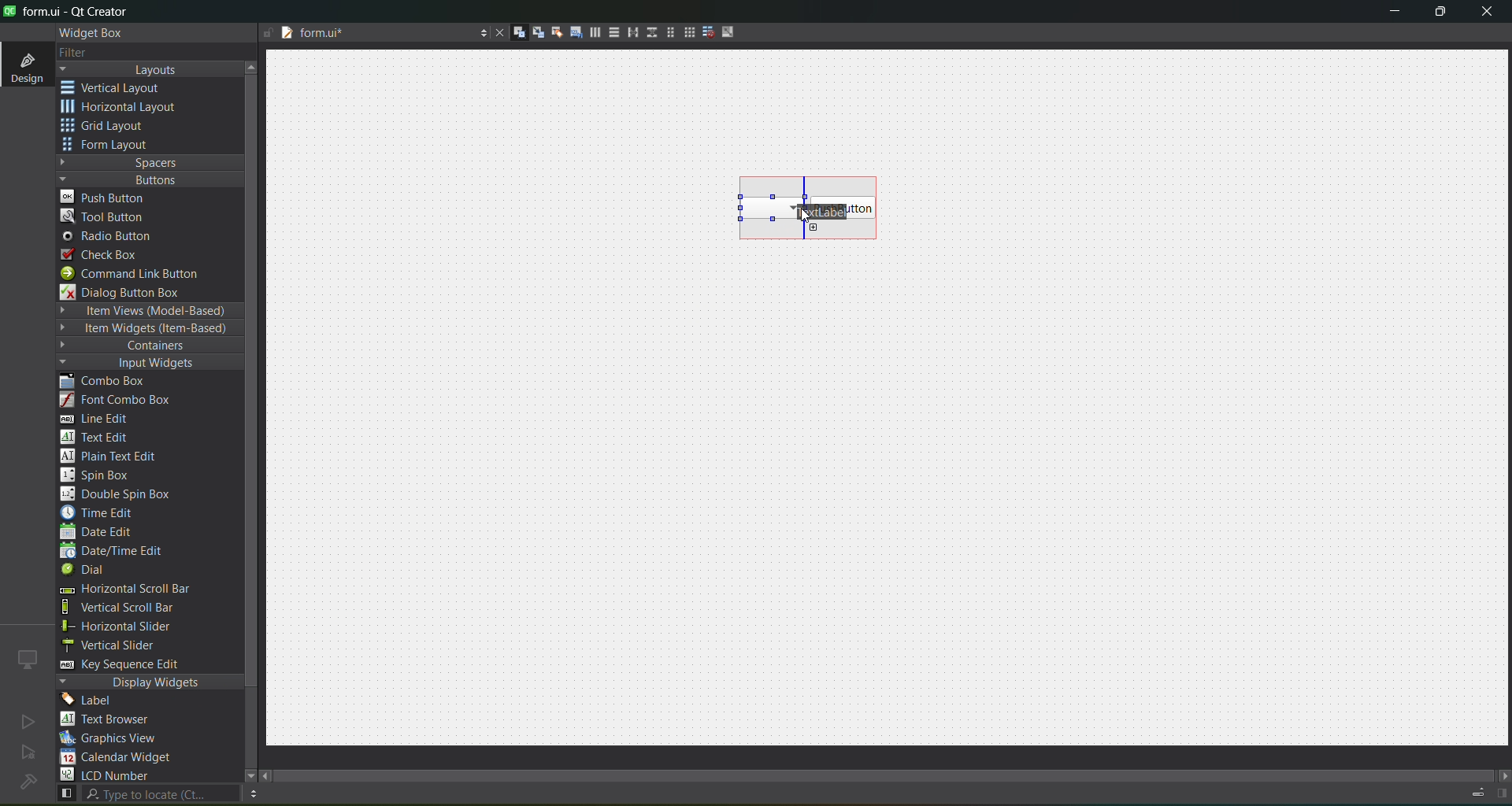  Describe the element at coordinates (115, 457) in the screenshot. I see `plain text edit` at that location.